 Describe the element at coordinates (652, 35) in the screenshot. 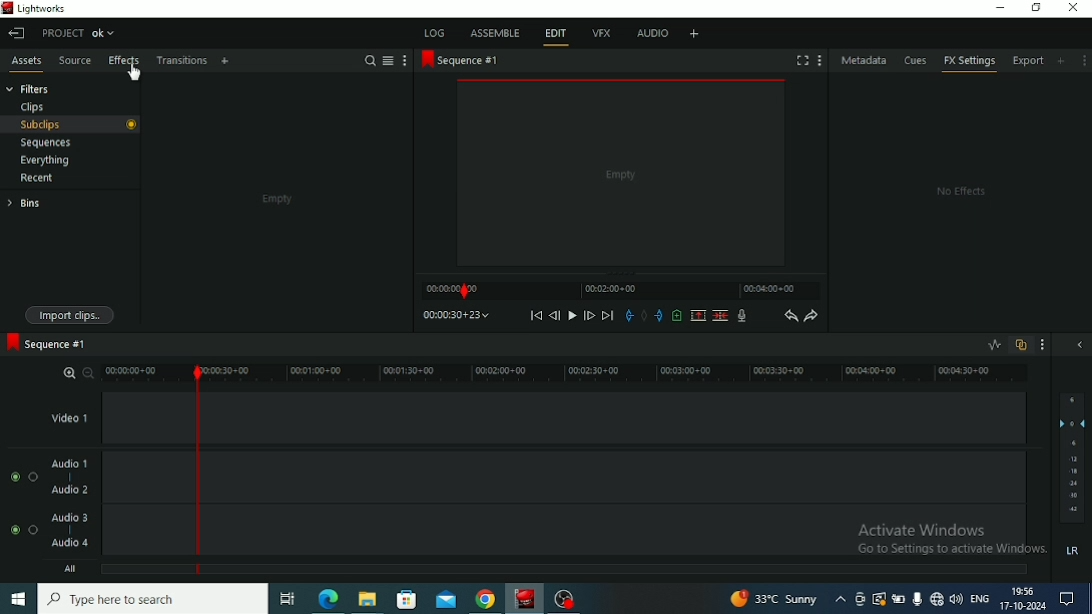

I see `Audio` at that location.